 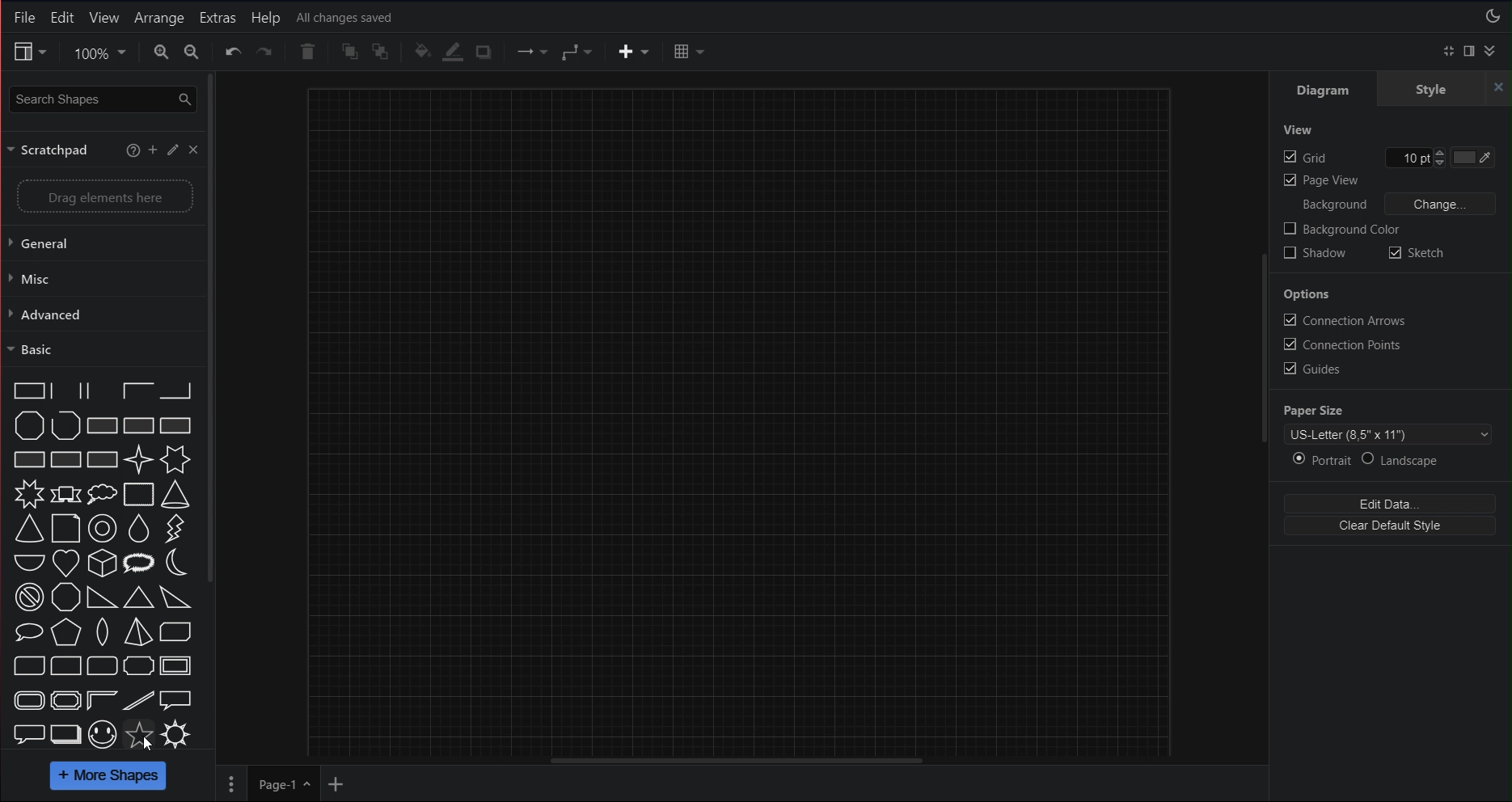 I want to click on Options, so click(x=1309, y=294).